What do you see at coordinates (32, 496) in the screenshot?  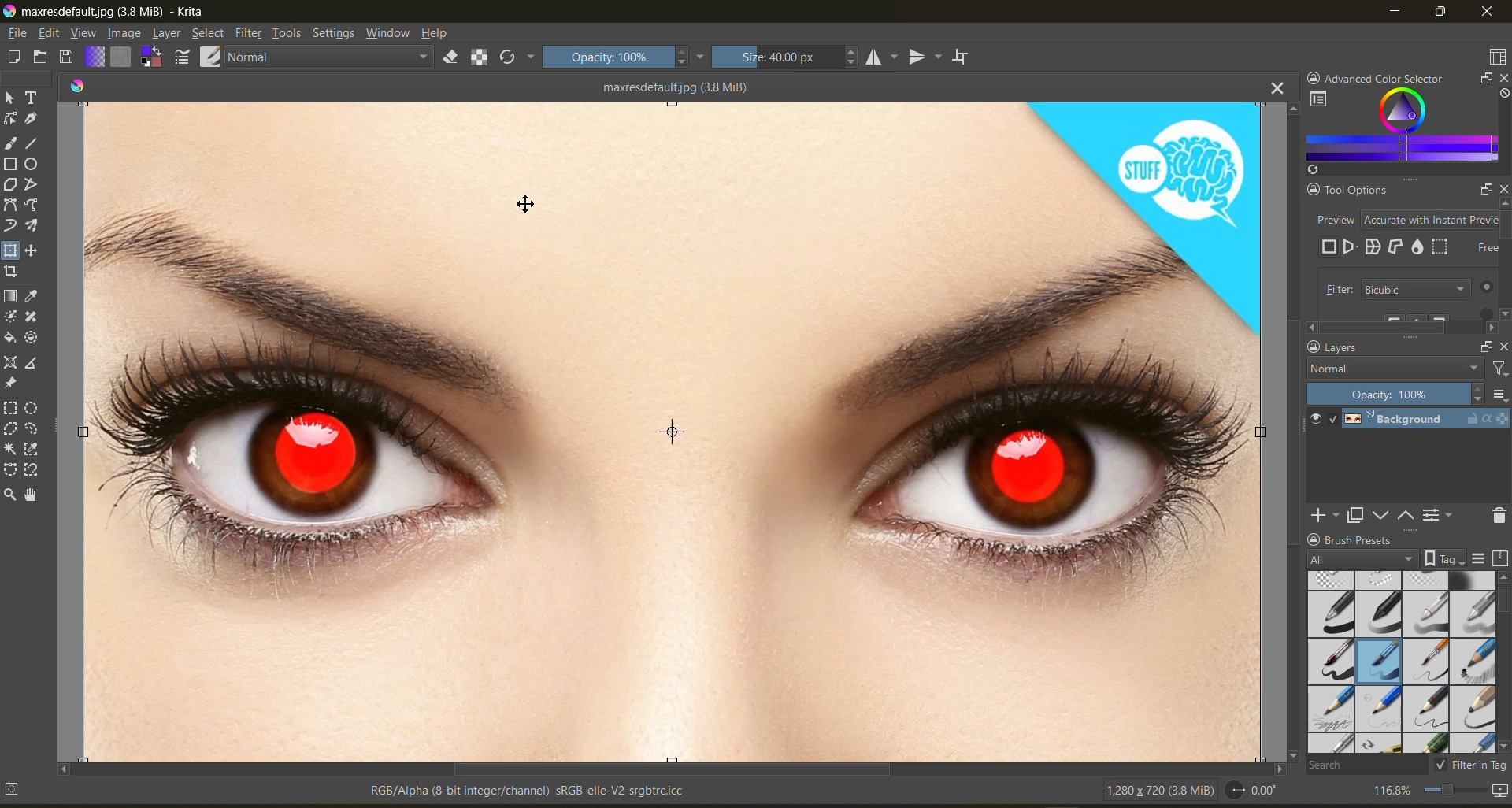 I see `tool` at bounding box center [32, 496].